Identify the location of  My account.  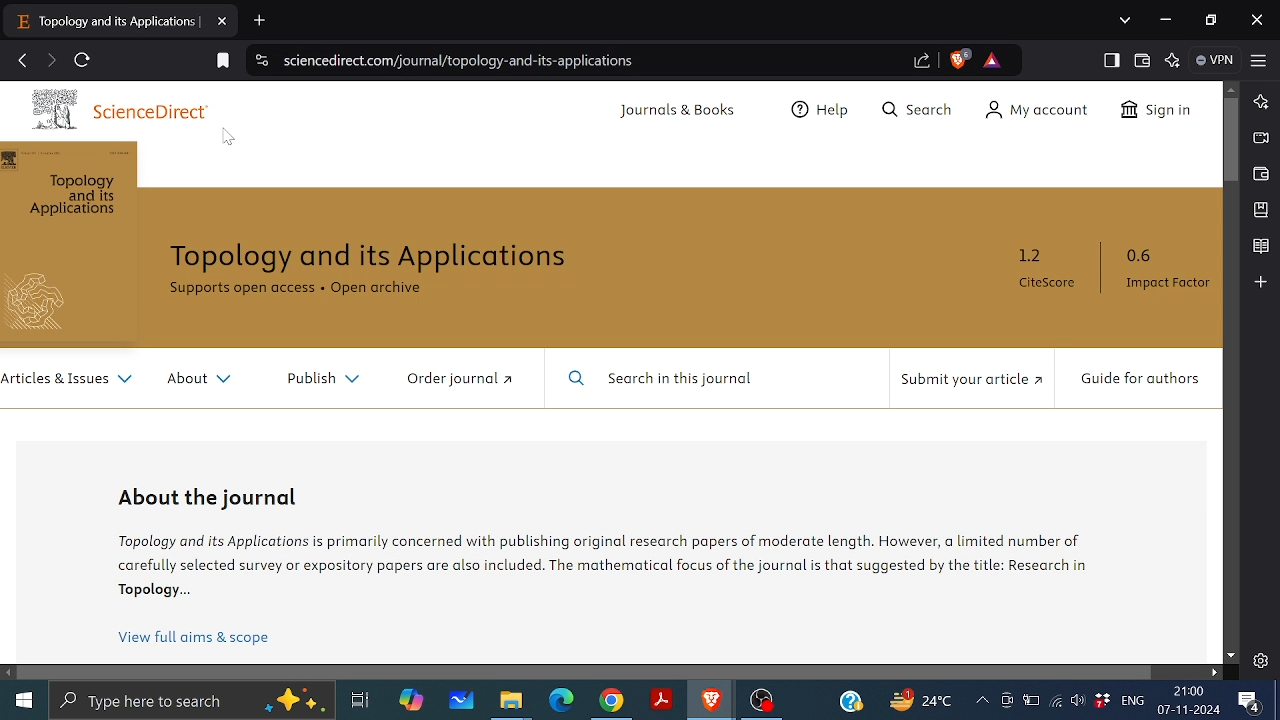
(1036, 112).